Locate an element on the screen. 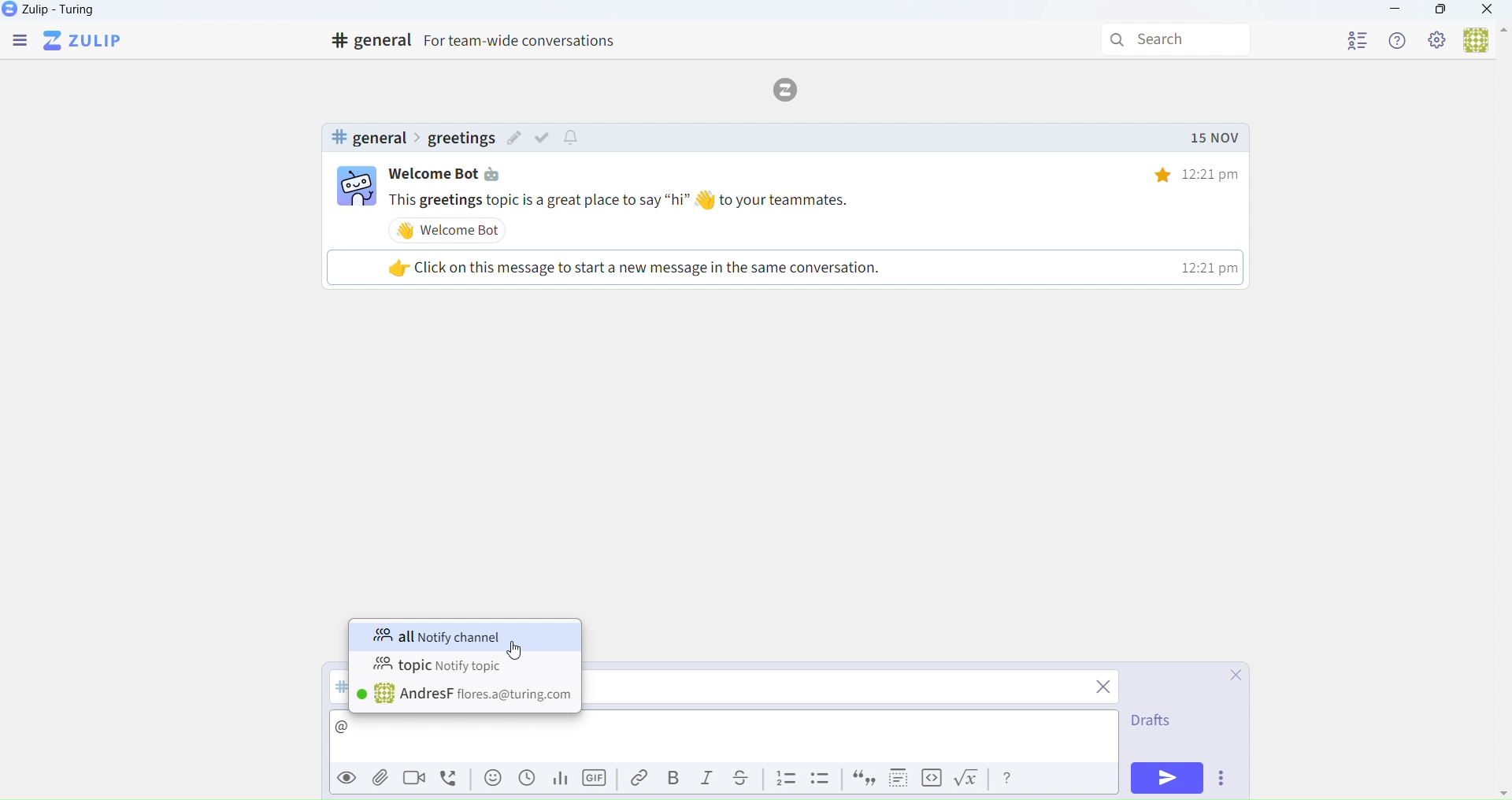 Image resolution: width=1512 pixels, height=800 pixels. close is located at coordinates (1105, 689).